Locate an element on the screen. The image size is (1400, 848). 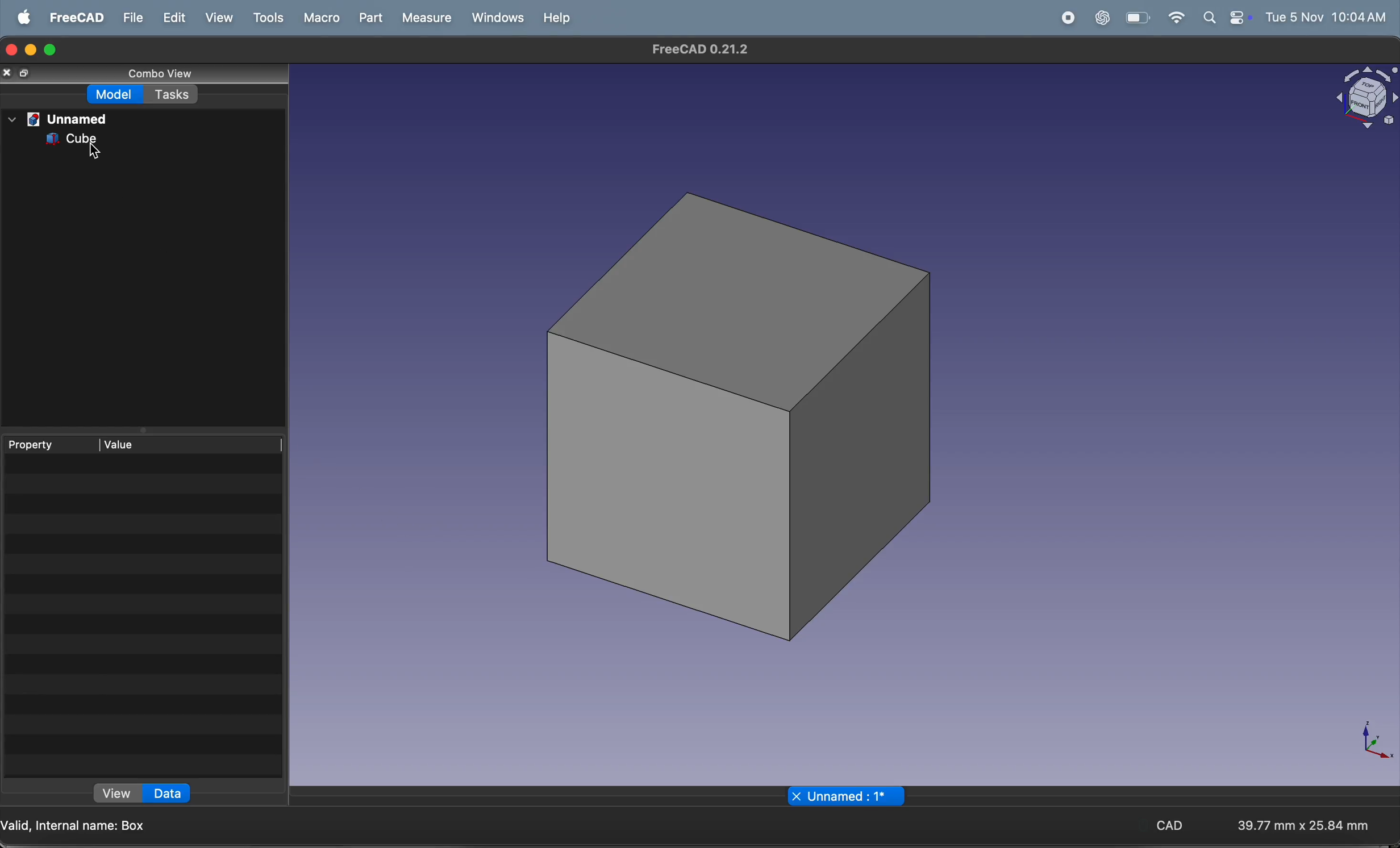
windows is located at coordinates (497, 17).